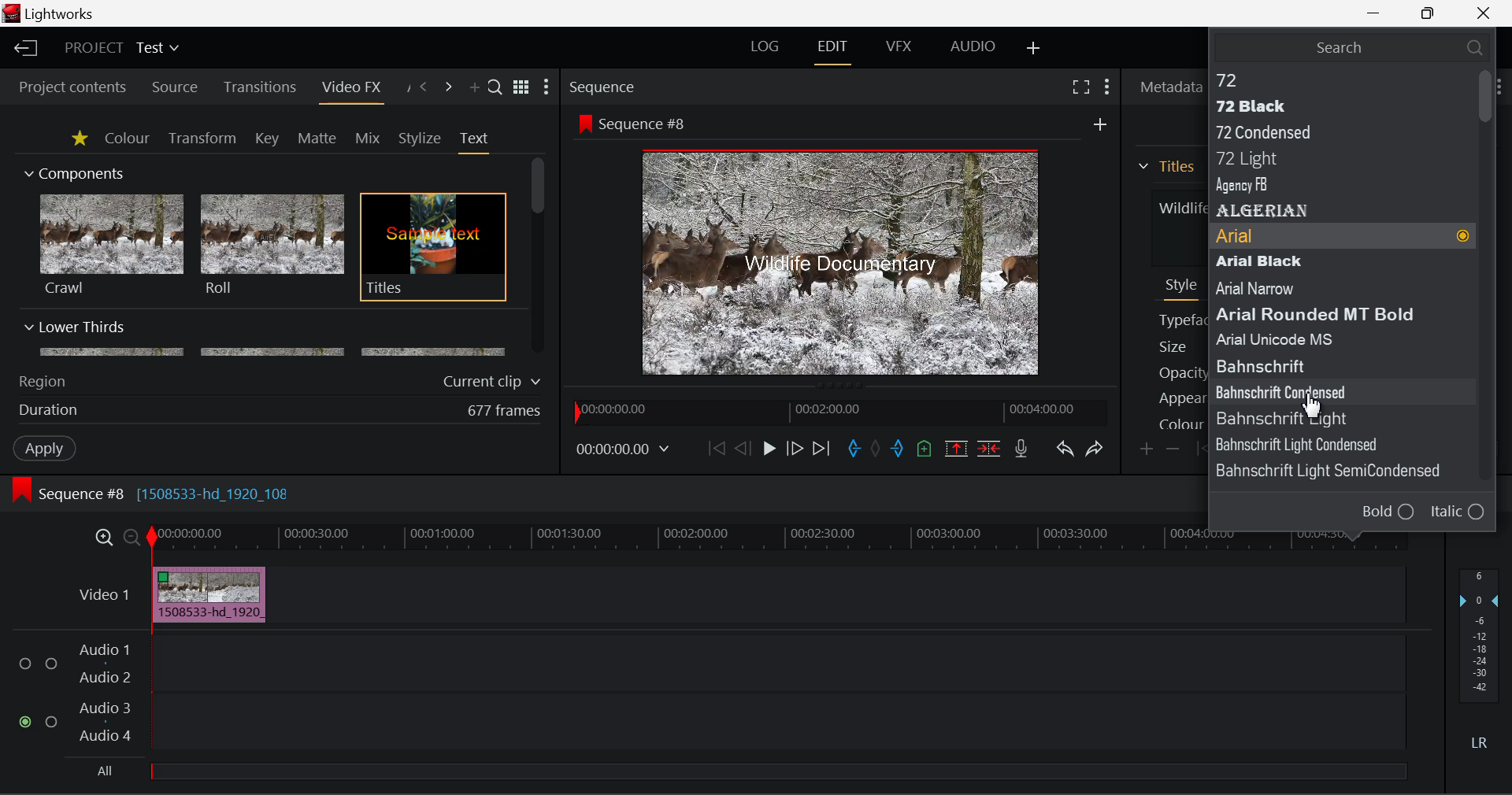  I want to click on checkbox, so click(52, 665).